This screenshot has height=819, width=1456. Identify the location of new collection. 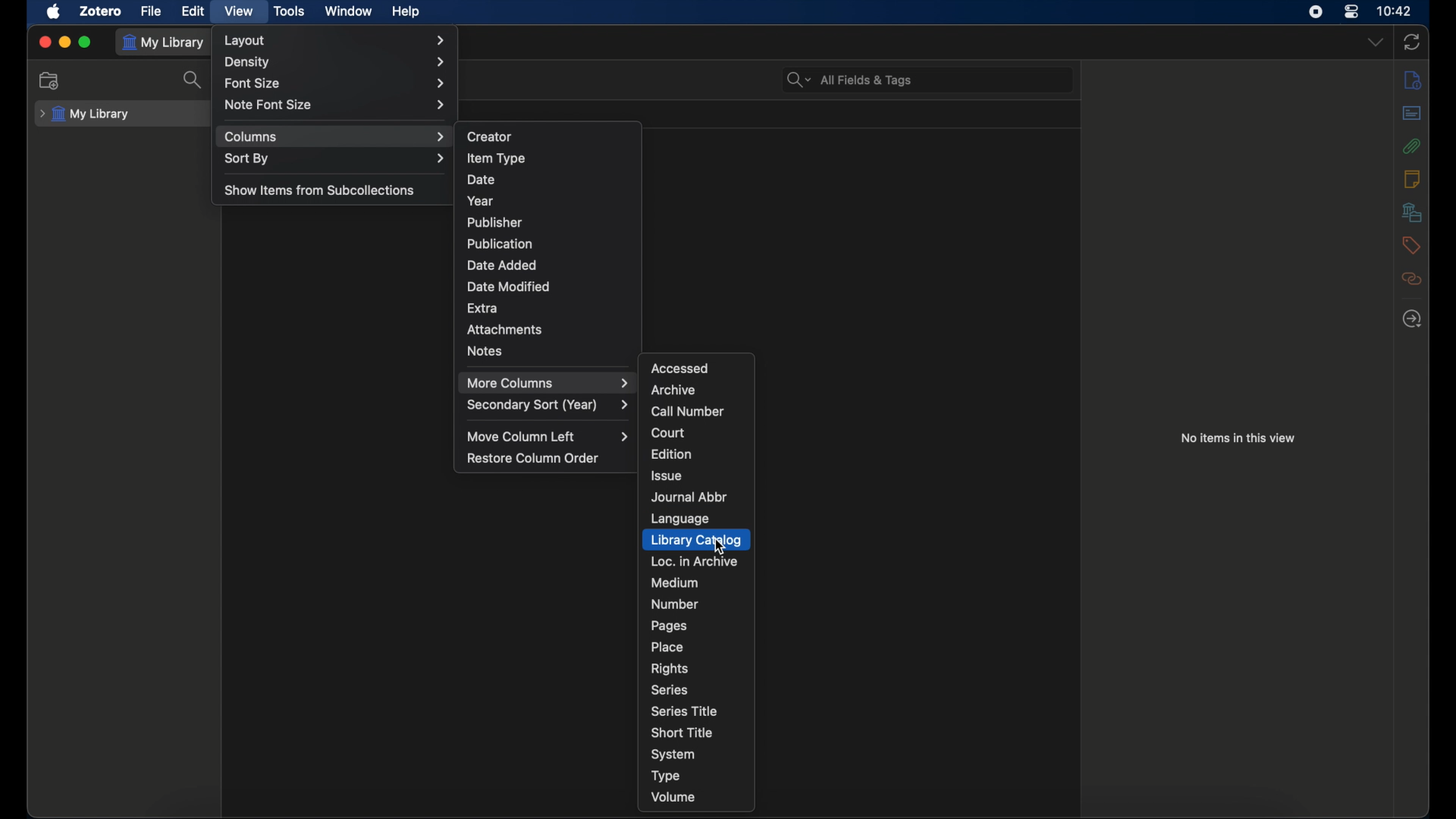
(49, 80).